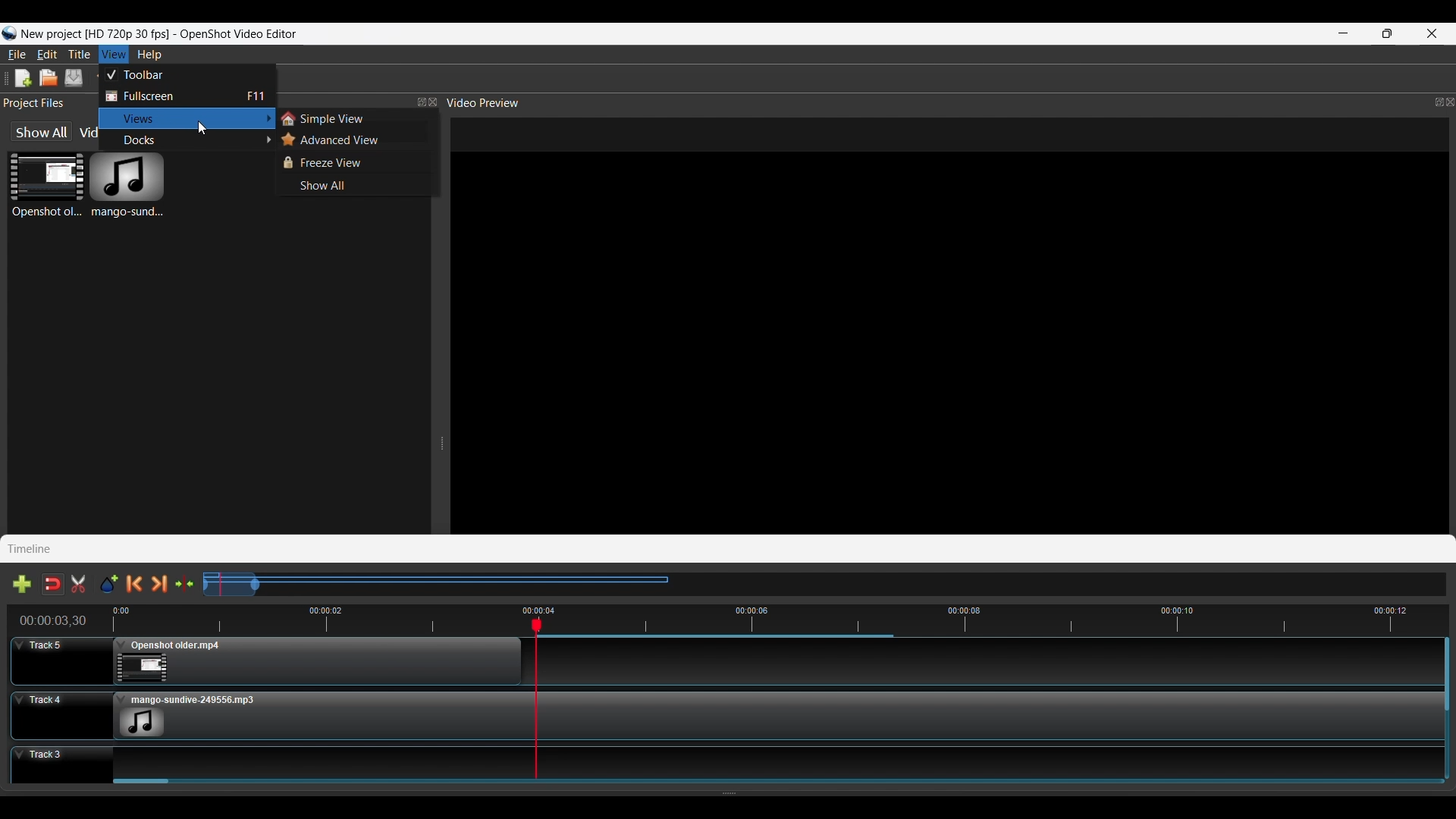 Image resolution: width=1456 pixels, height=819 pixels. I want to click on Video, so click(88, 132).